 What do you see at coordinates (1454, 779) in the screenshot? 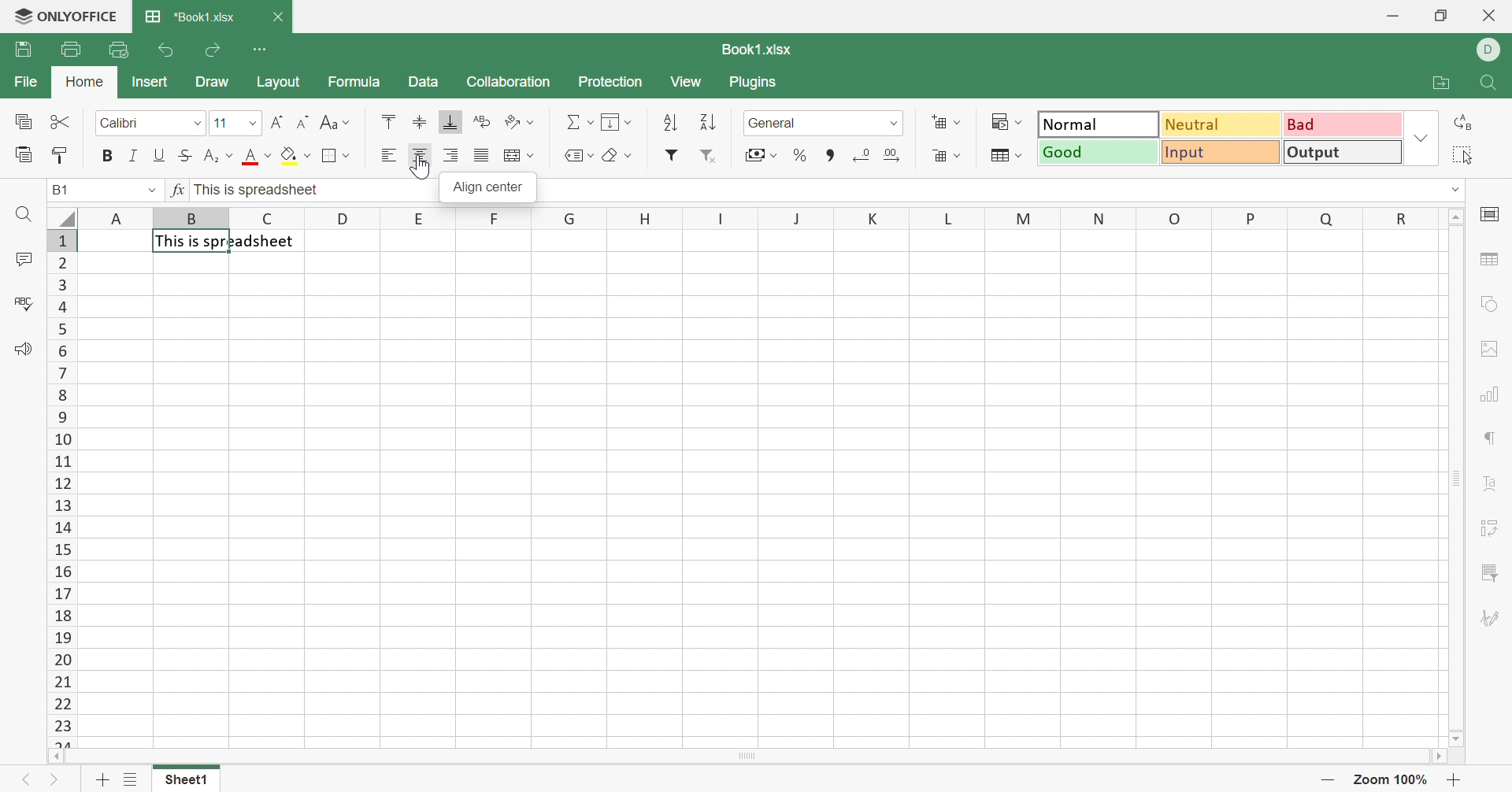
I see `Zoom In` at bounding box center [1454, 779].